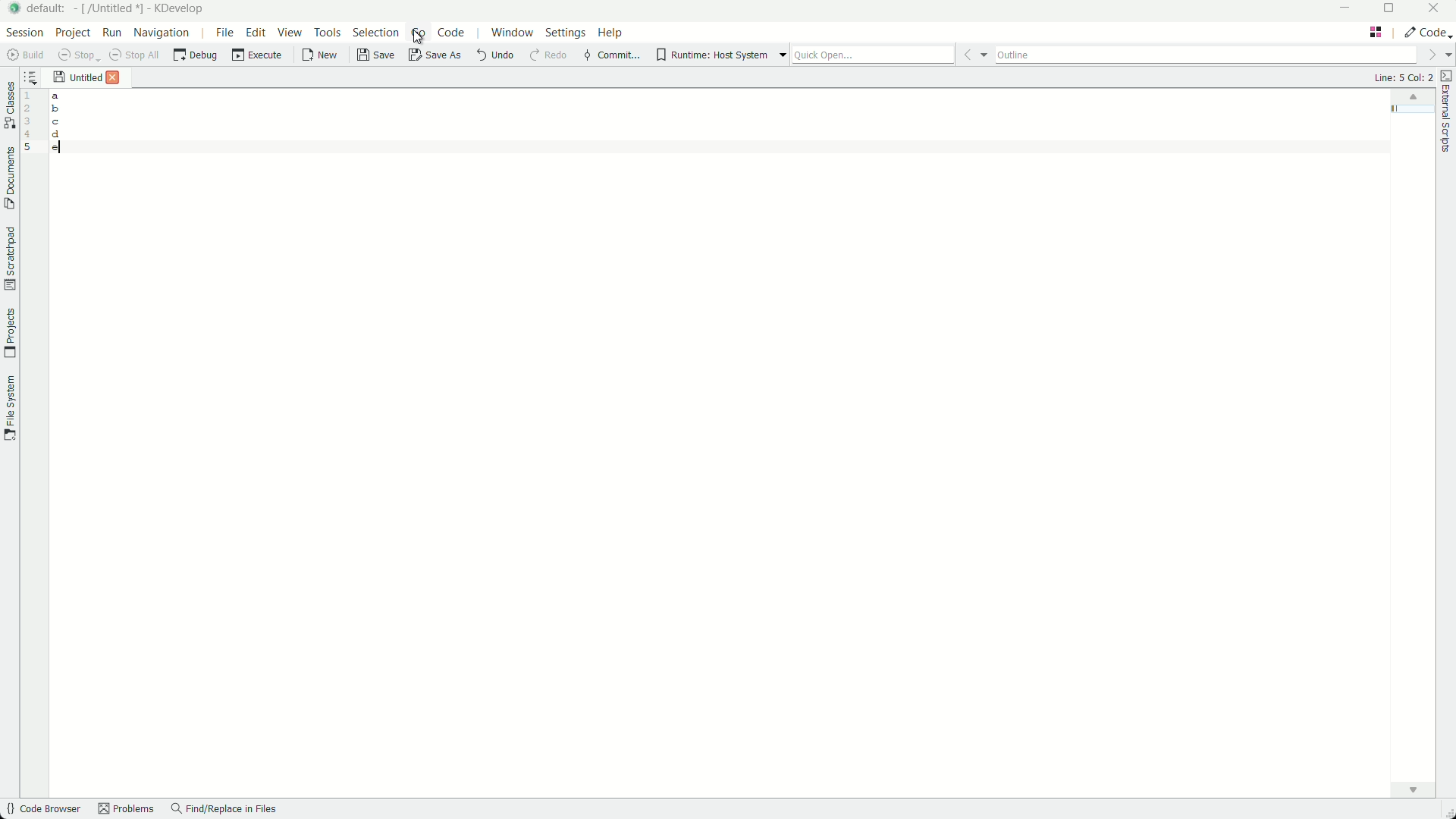 This screenshot has width=1456, height=819. Describe the element at coordinates (1345, 10) in the screenshot. I see `minimize` at that location.